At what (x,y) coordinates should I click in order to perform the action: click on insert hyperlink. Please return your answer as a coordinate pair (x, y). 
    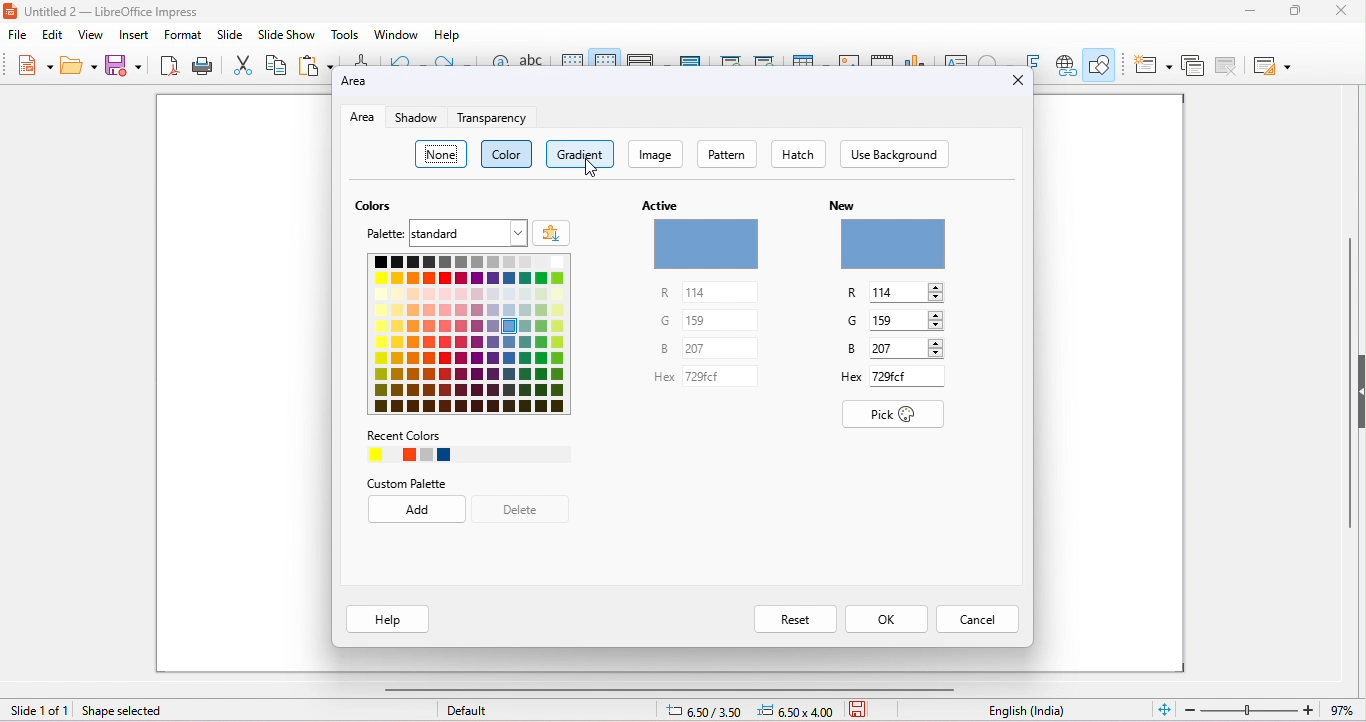
    Looking at the image, I should click on (1067, 65).